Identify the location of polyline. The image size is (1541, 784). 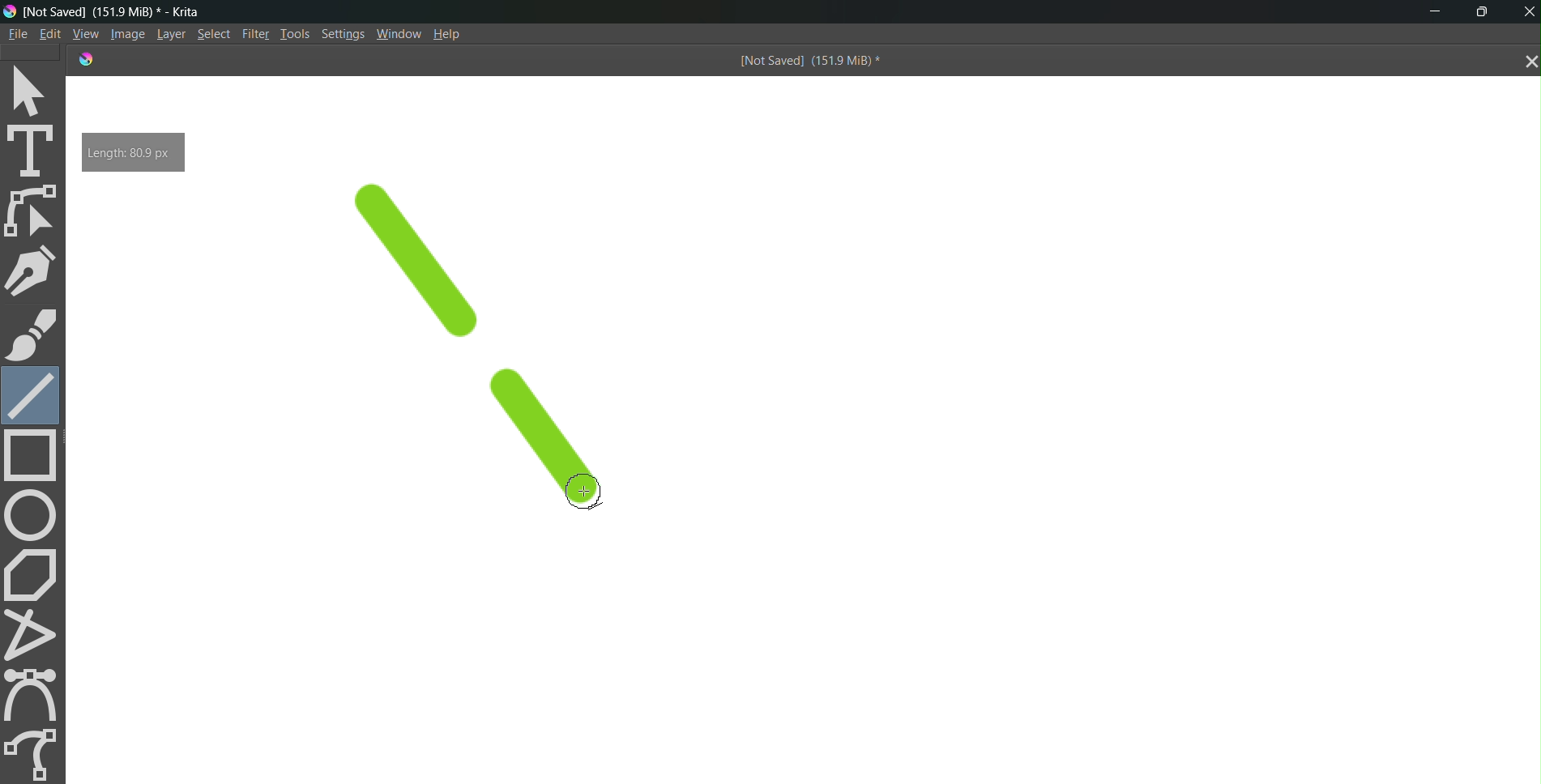
(36, 634).